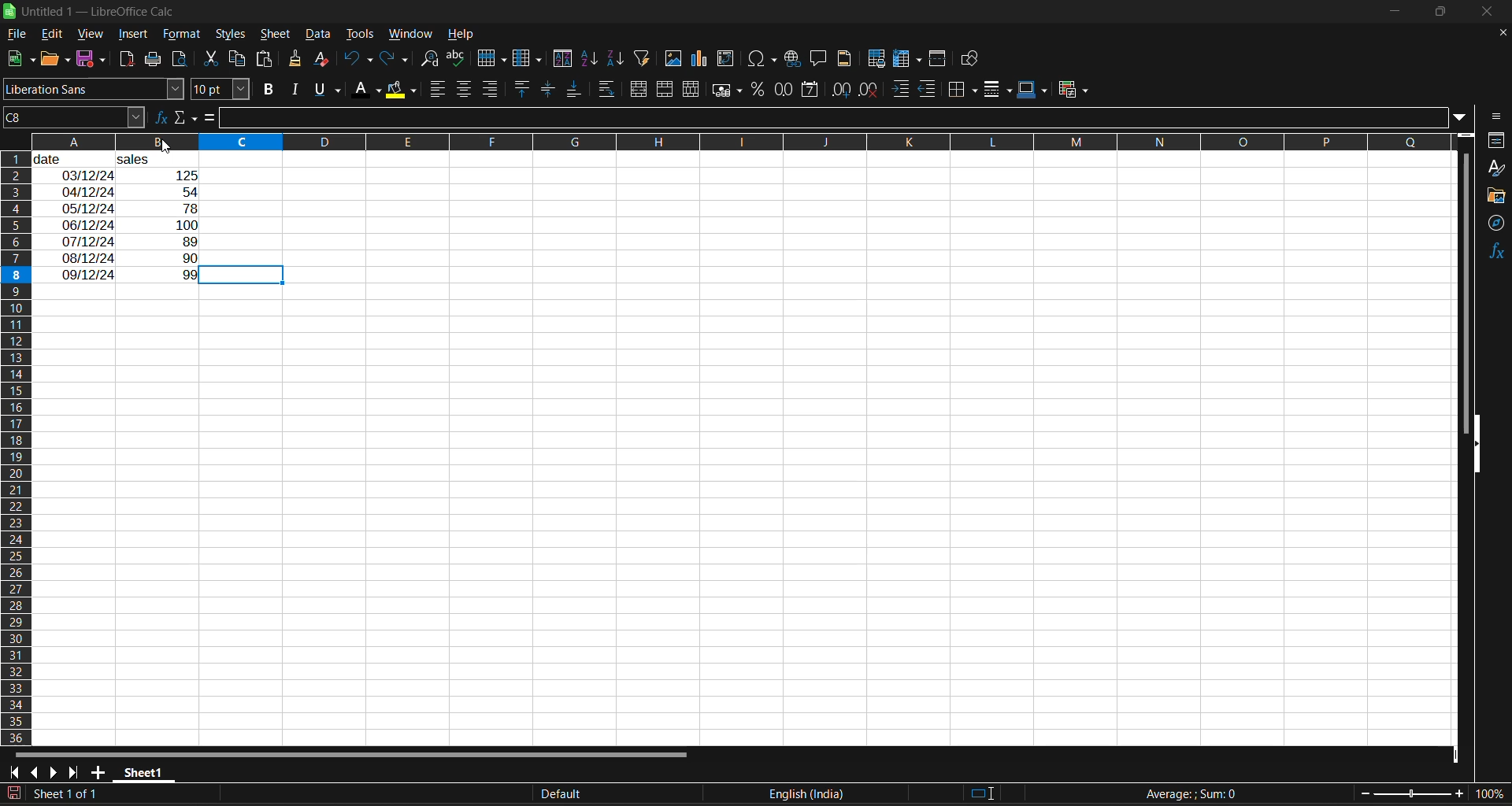  Describe the element at coordinates (298, 89) in the screenshot. I see `italic` at that location.